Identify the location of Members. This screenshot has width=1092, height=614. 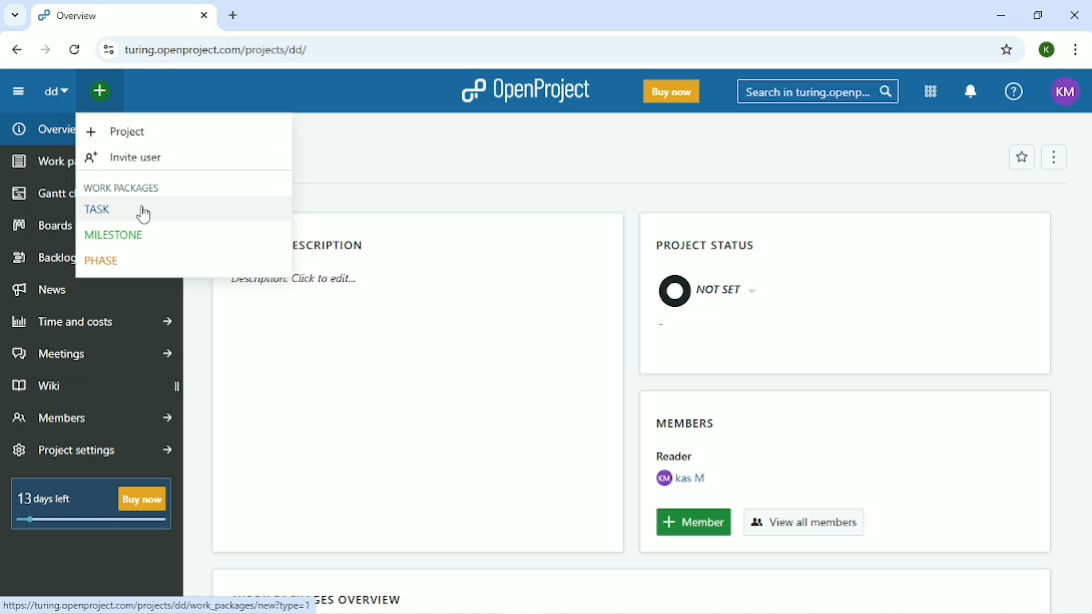
(687, 423).